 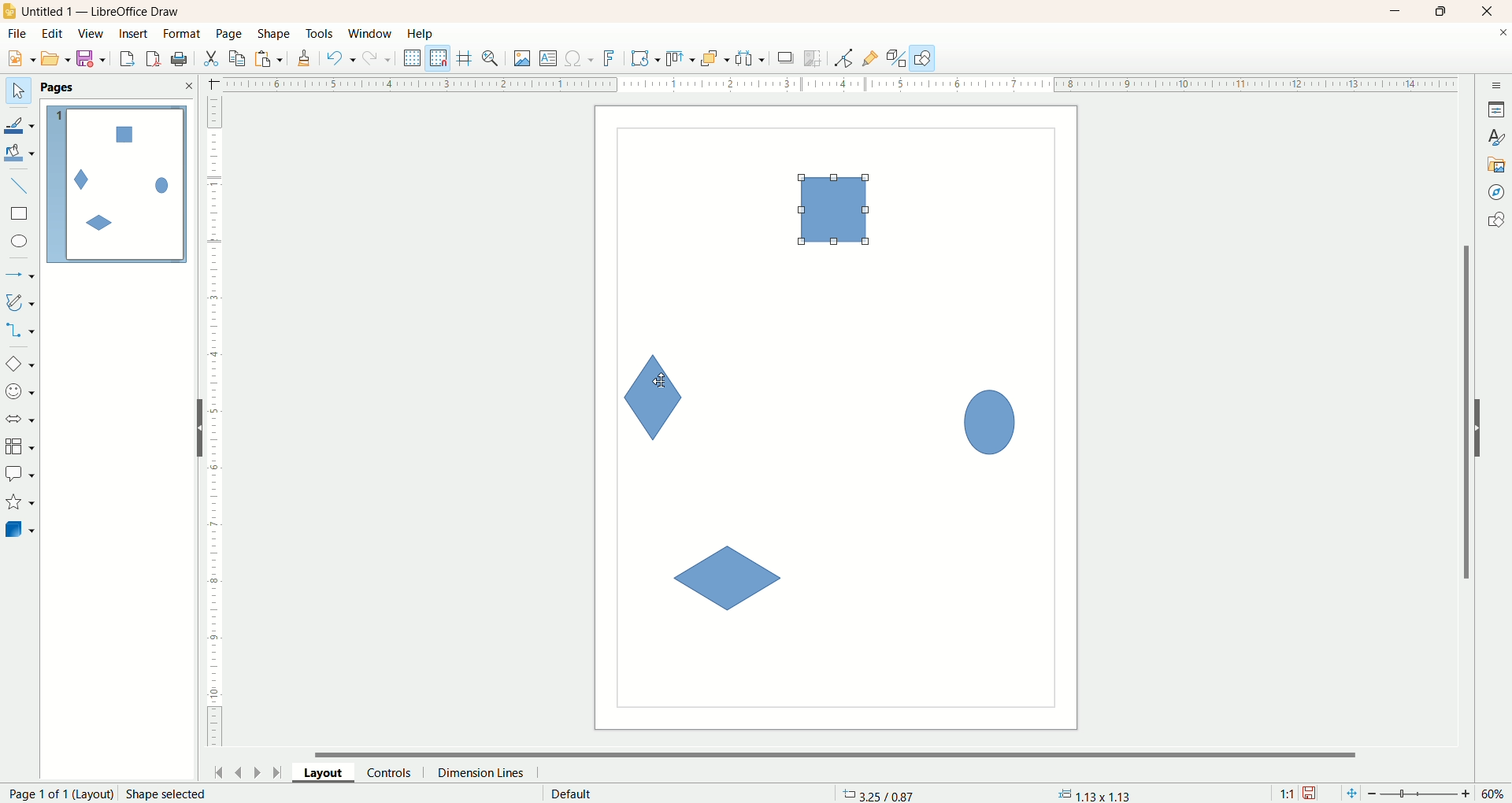 What do you see at coordinates (181, 60) in the screenshot?
I see `export as PDF` at bounding box center [181, 60].